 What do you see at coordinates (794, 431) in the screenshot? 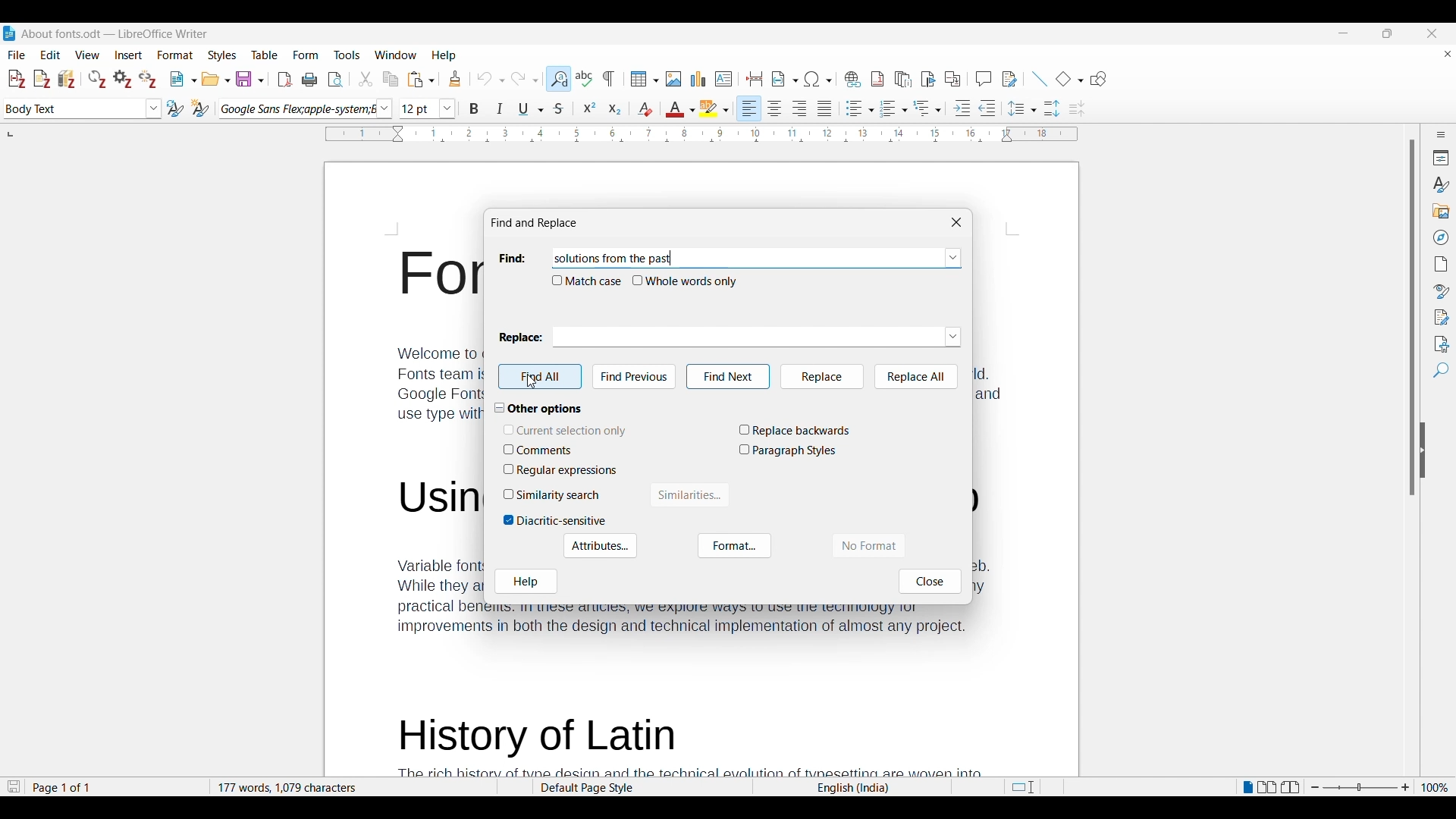
I see `Toggle for Replace backwards` at bounding box center [794, 431].